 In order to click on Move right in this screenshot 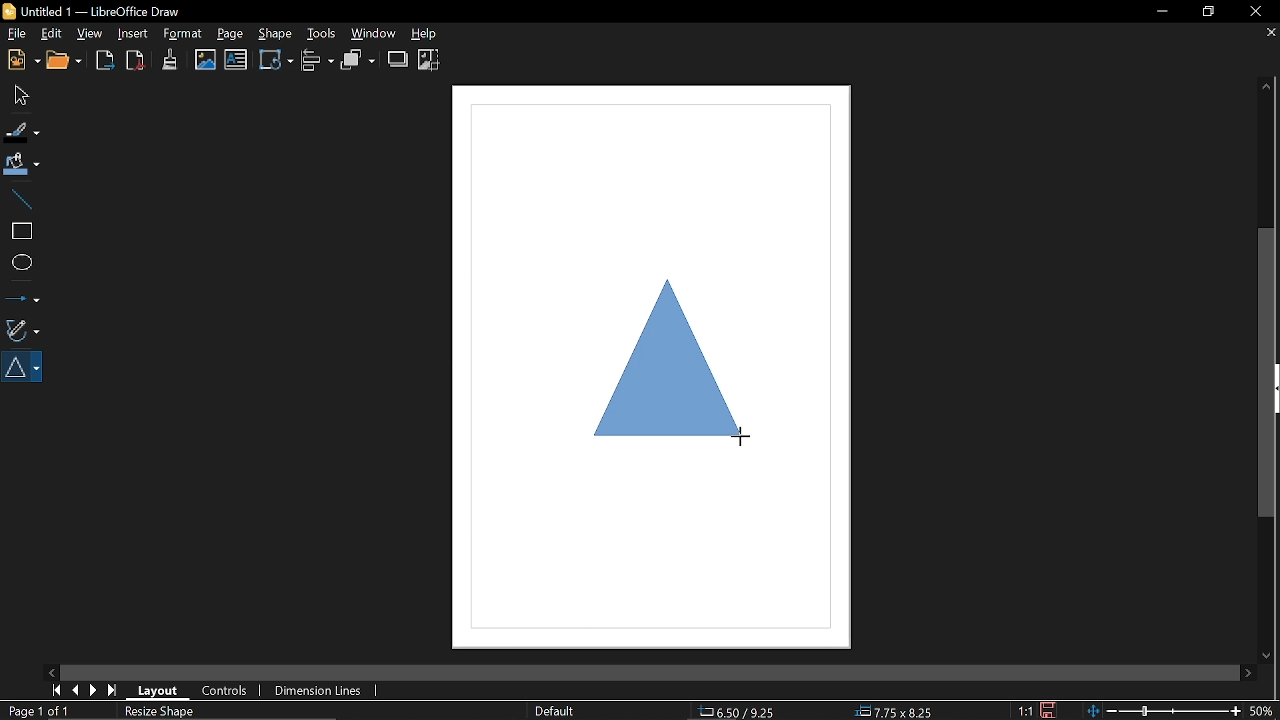, I will do `click(1248, 673)`.